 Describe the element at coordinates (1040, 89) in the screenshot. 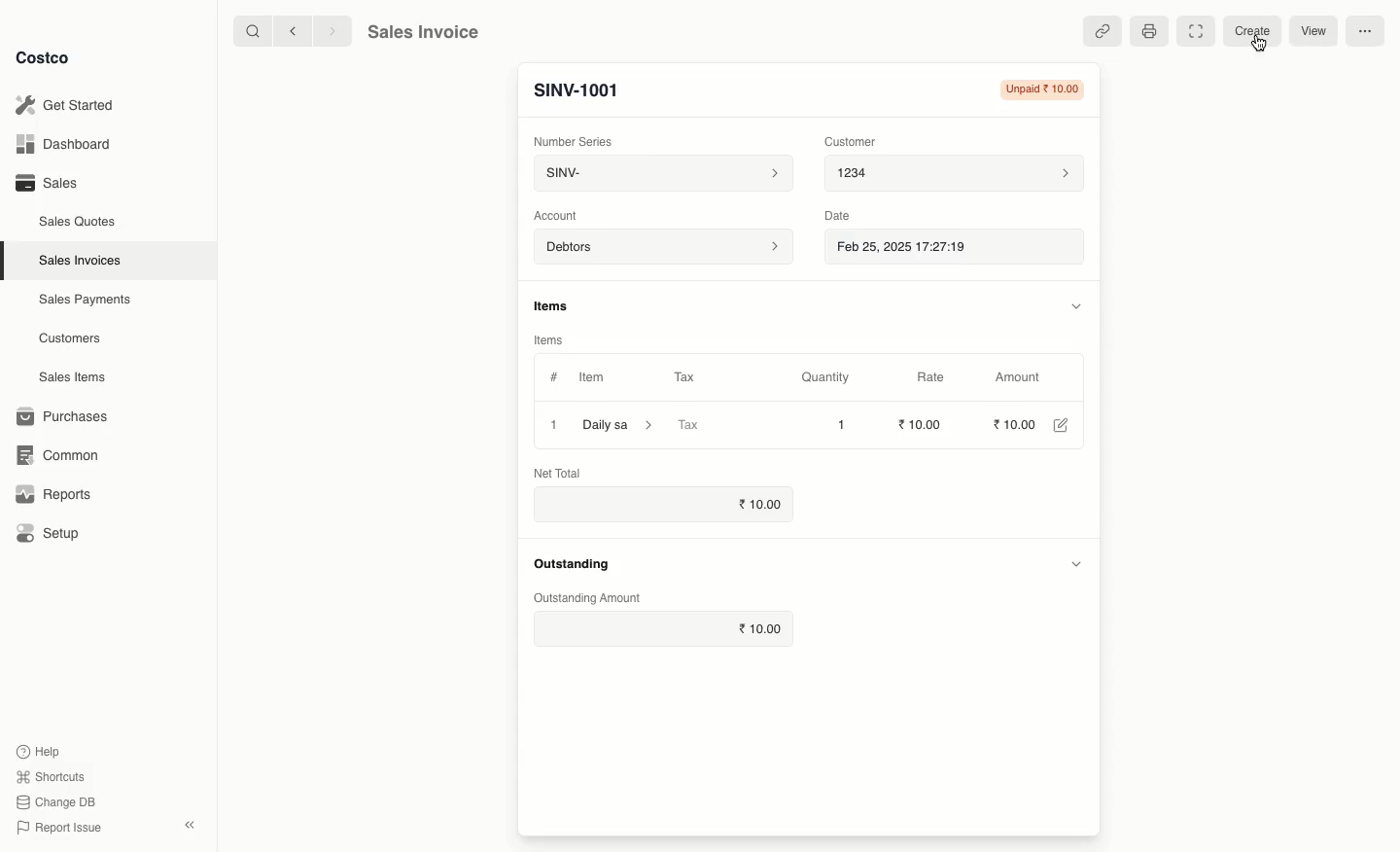

I see `Unpaid 10.00` at that location.